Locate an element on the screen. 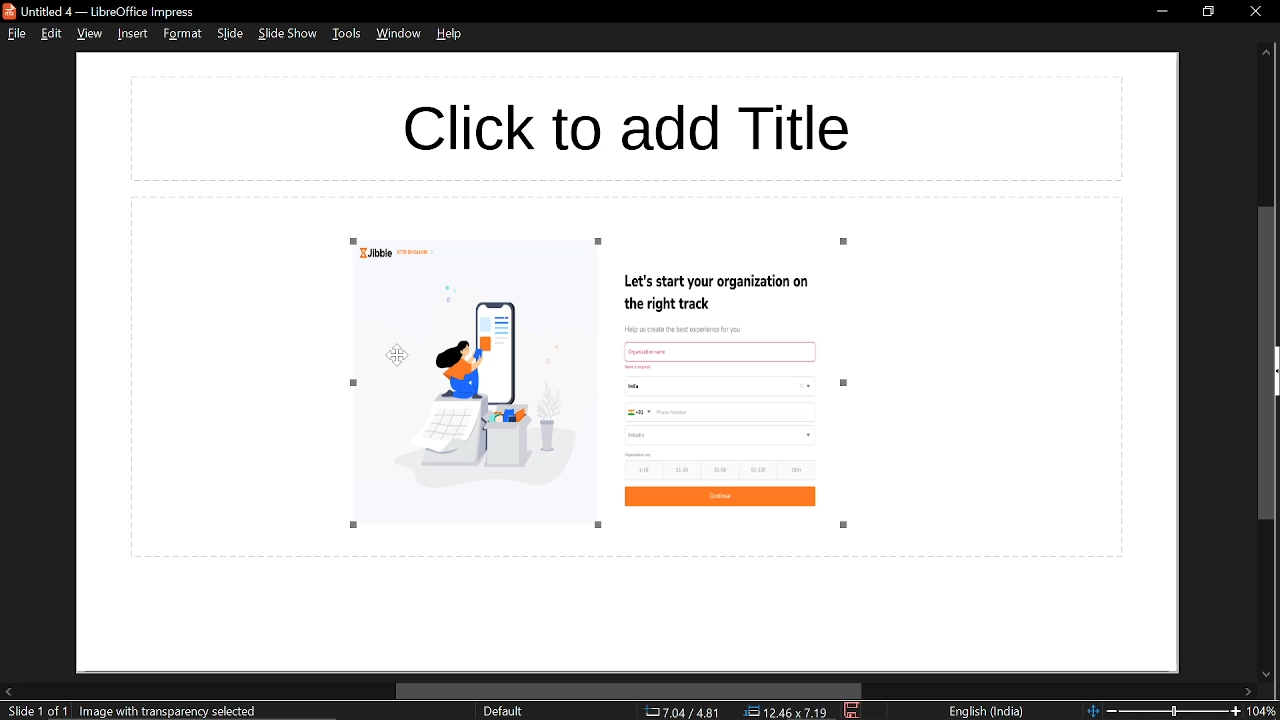  language is located at coordinates (989, 712).